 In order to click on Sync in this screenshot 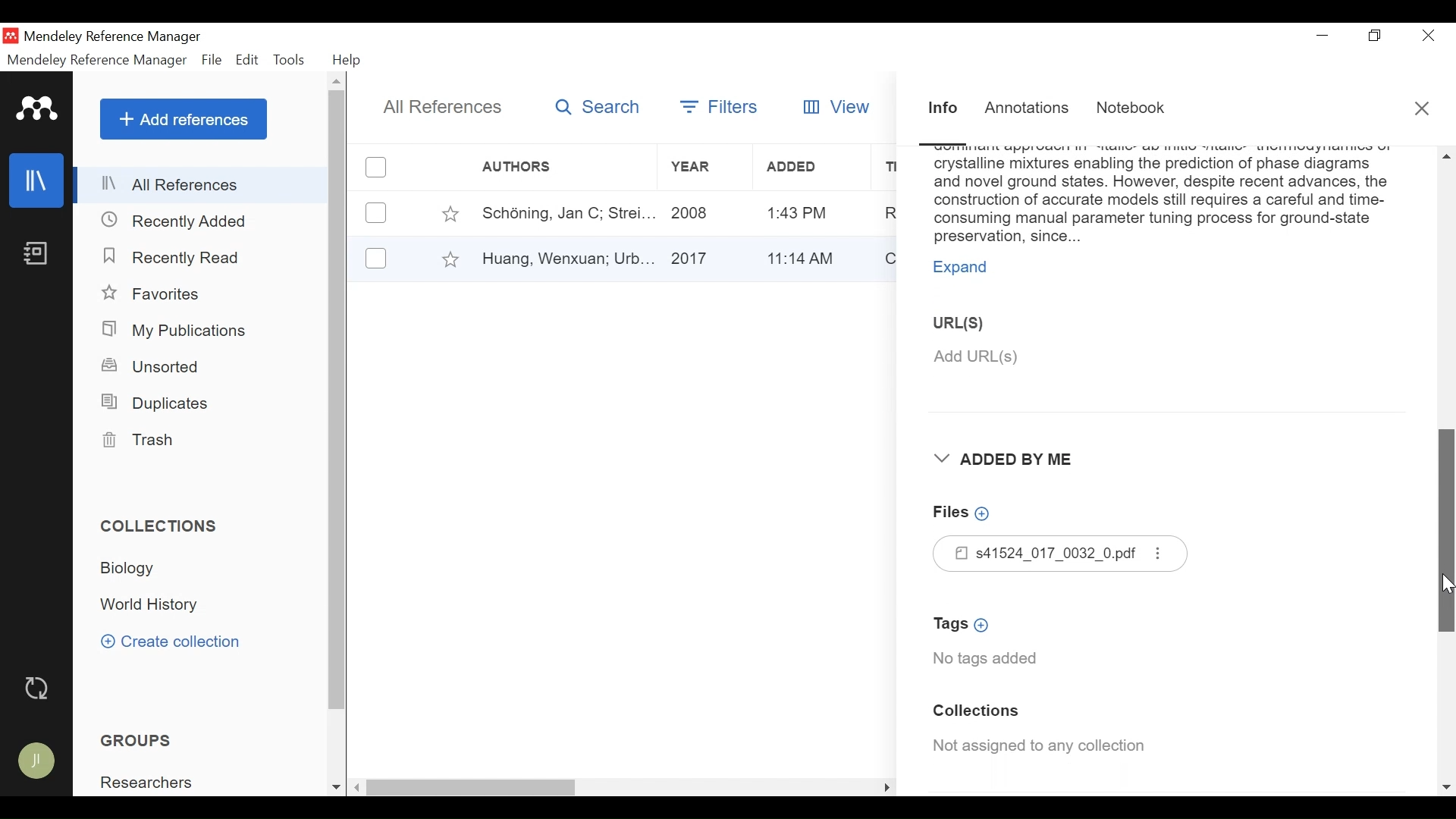, I will do `click(39, 690)`.